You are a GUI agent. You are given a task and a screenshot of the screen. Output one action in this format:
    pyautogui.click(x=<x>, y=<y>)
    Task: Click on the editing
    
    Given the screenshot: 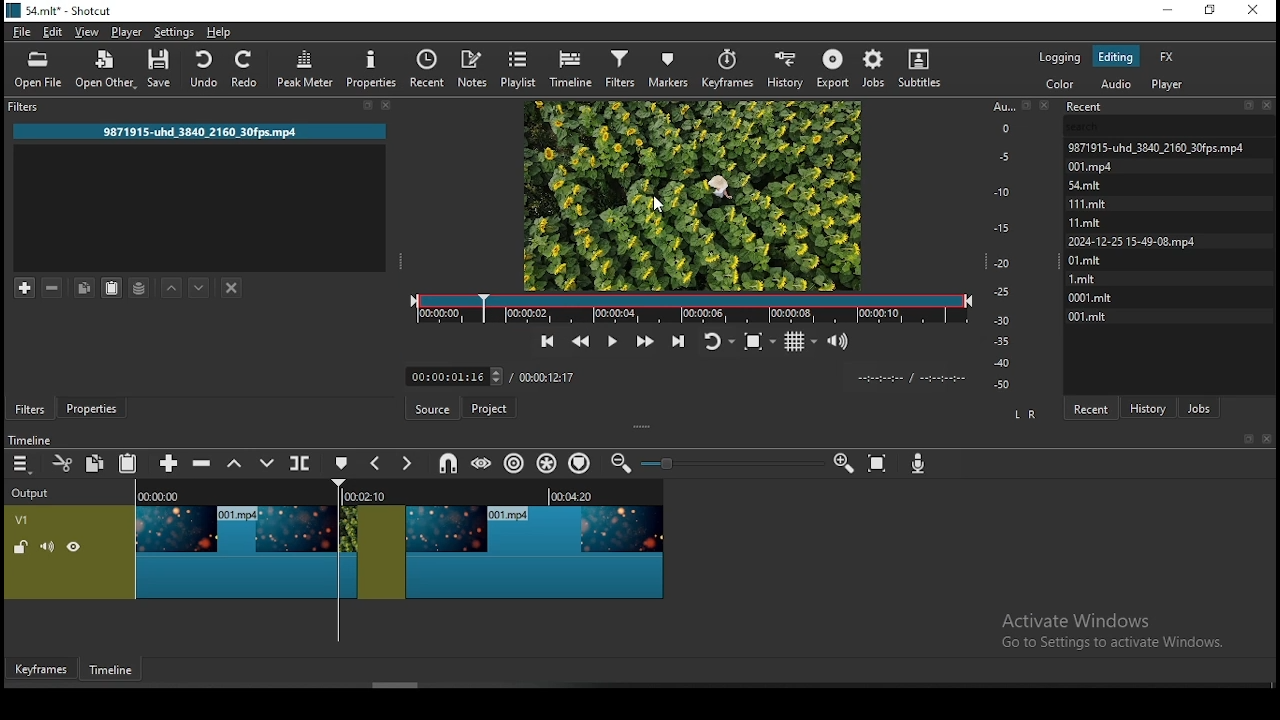 What is the action you would take?
    pyautogui.click(x=1115, y=55)
    